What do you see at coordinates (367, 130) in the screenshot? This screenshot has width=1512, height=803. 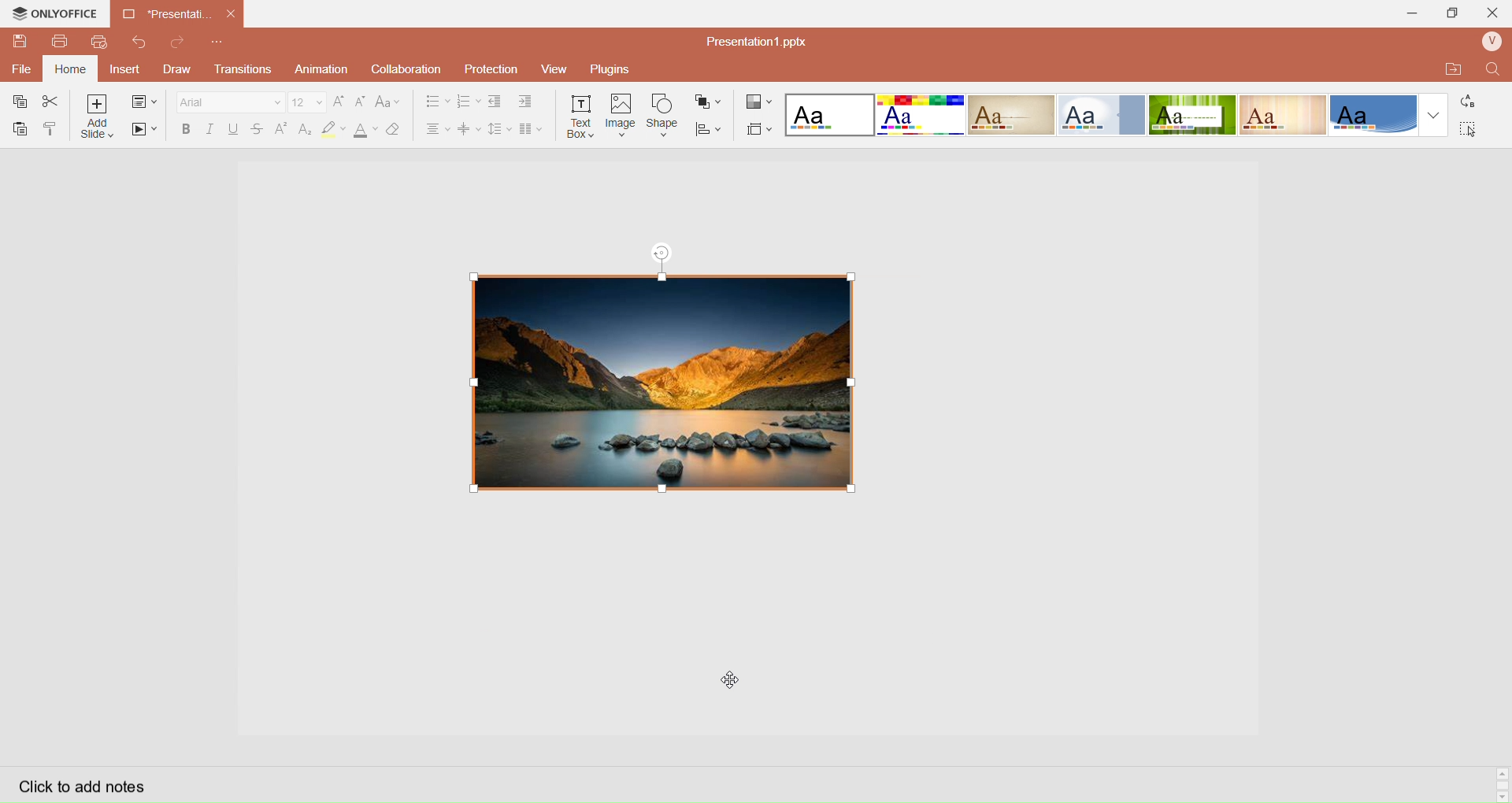 I see `Font Color` at bounding box center [367, 130].